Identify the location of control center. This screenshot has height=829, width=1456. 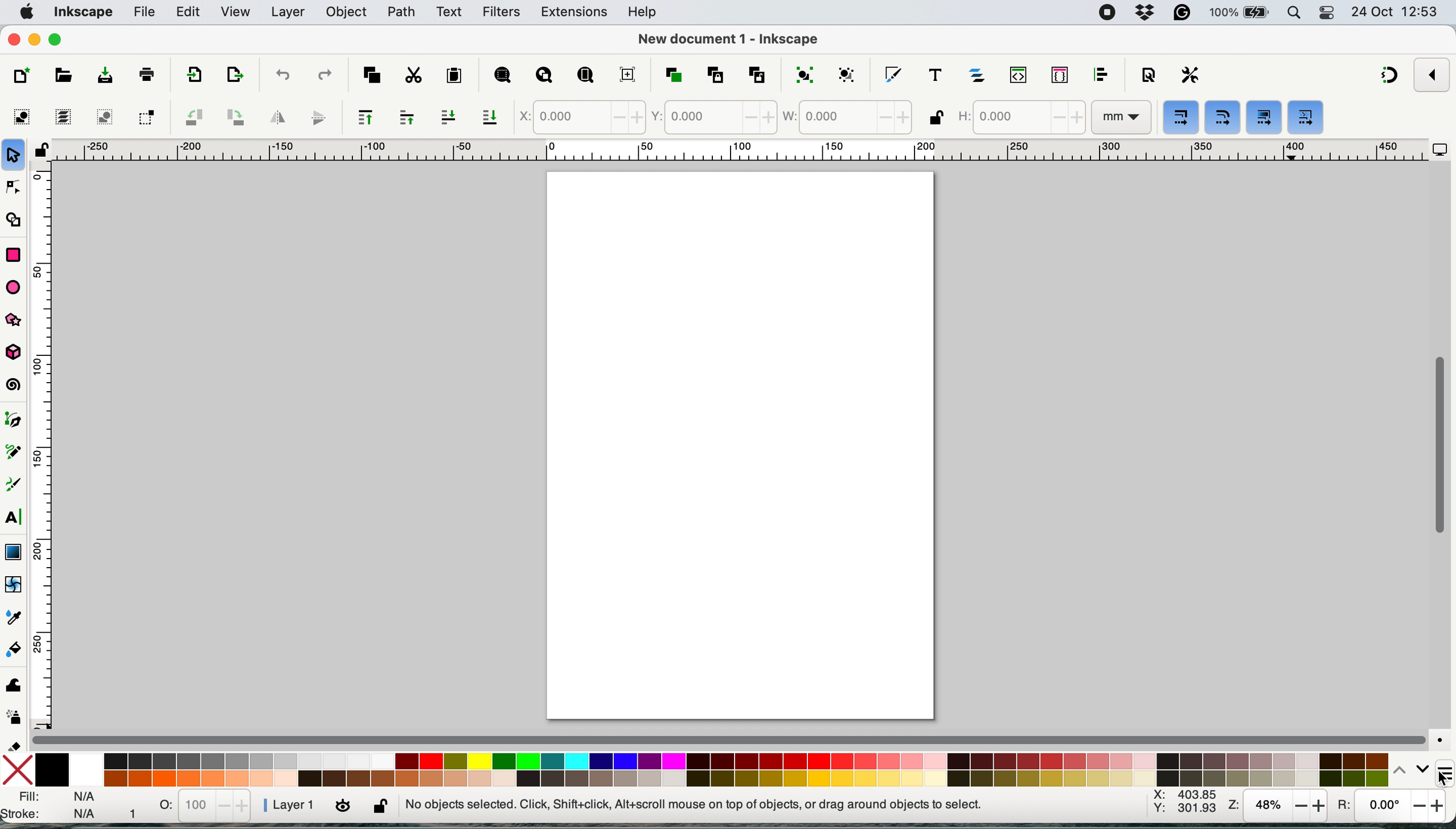
(1327, 13).